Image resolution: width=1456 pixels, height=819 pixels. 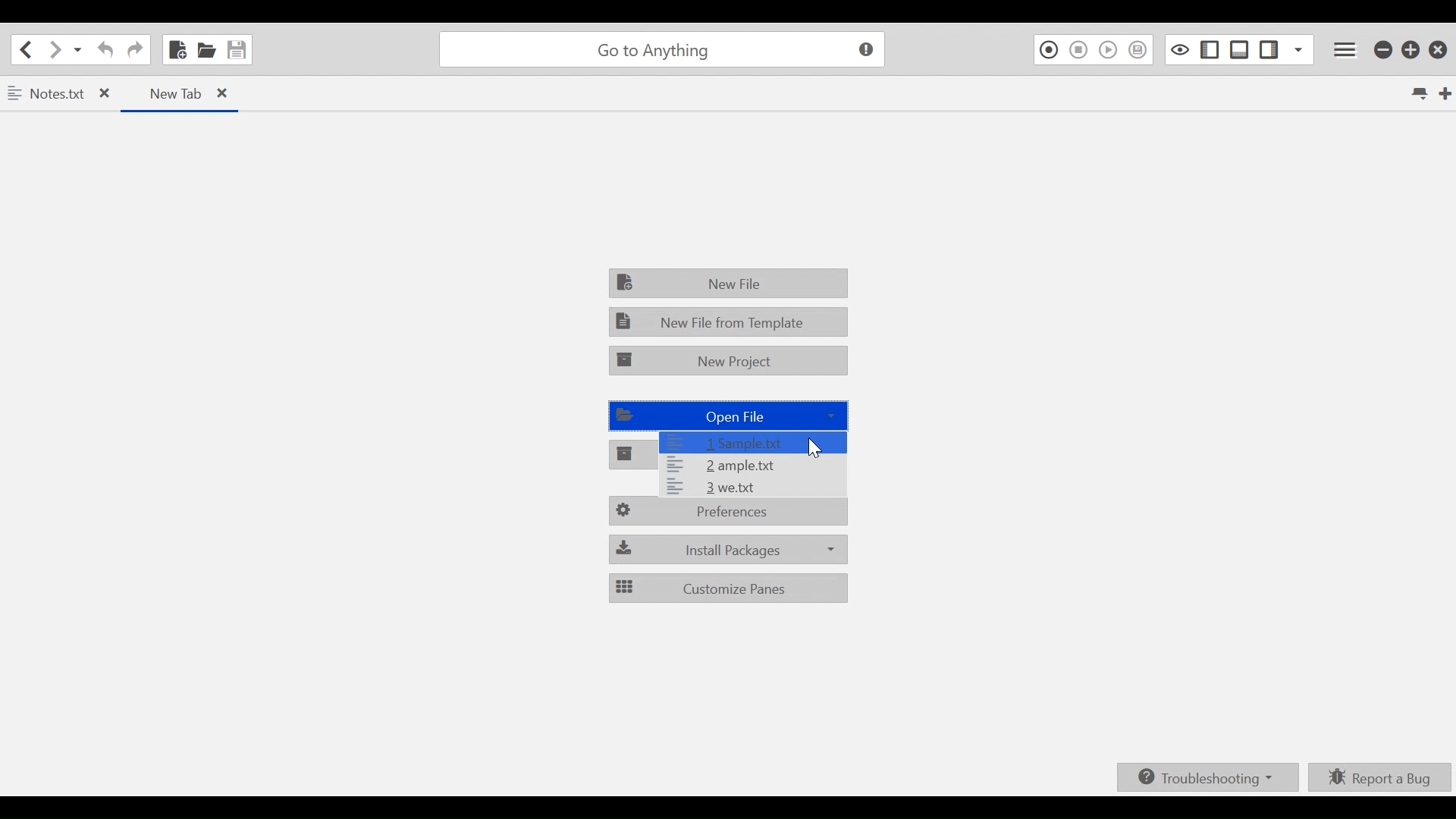 What do you see at coordinates (176, 48) in the screenshot?
I see `New File` at bounding box center [176, 48].